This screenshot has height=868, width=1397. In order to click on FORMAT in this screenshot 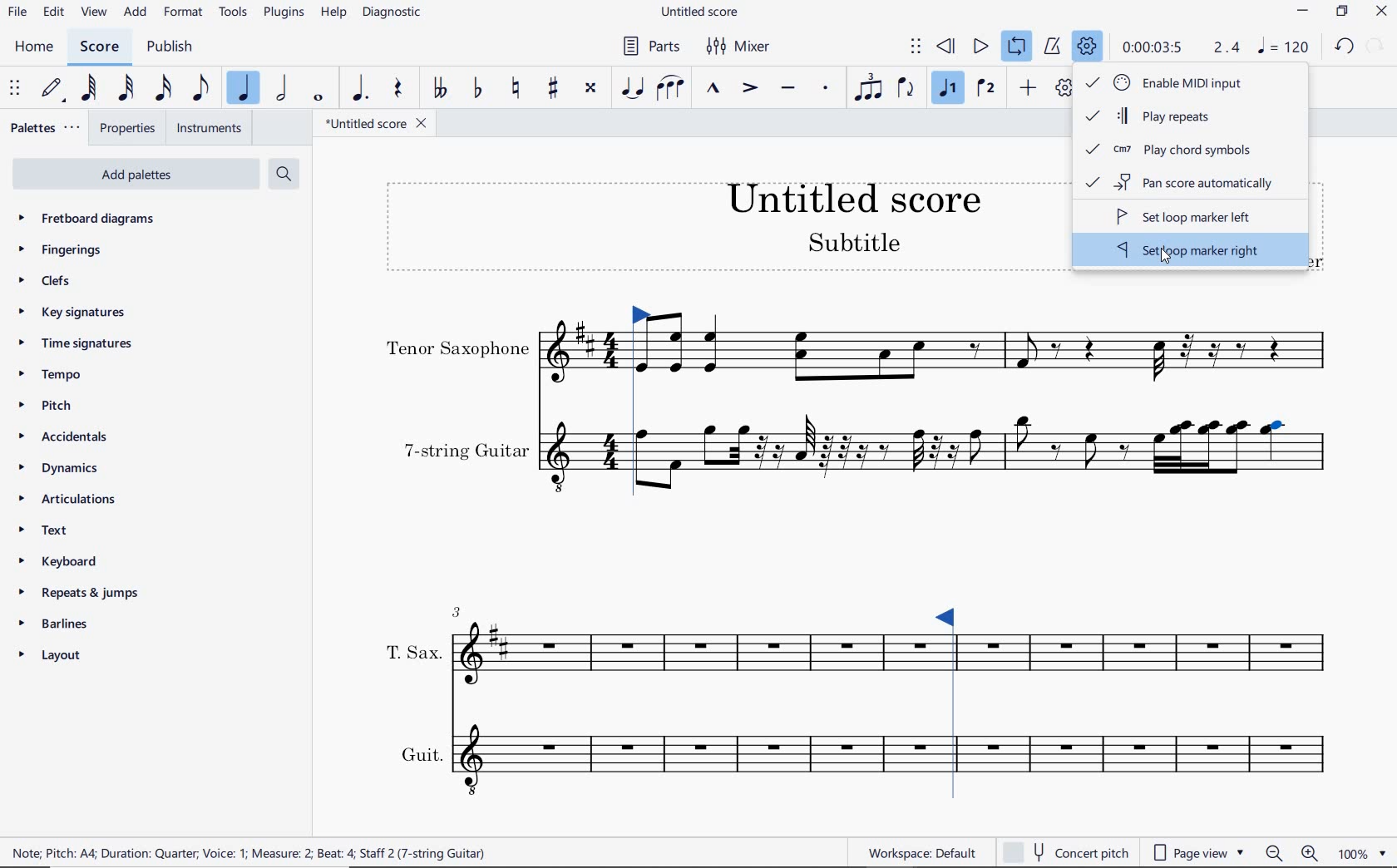, I will do `click(185, 12)`.